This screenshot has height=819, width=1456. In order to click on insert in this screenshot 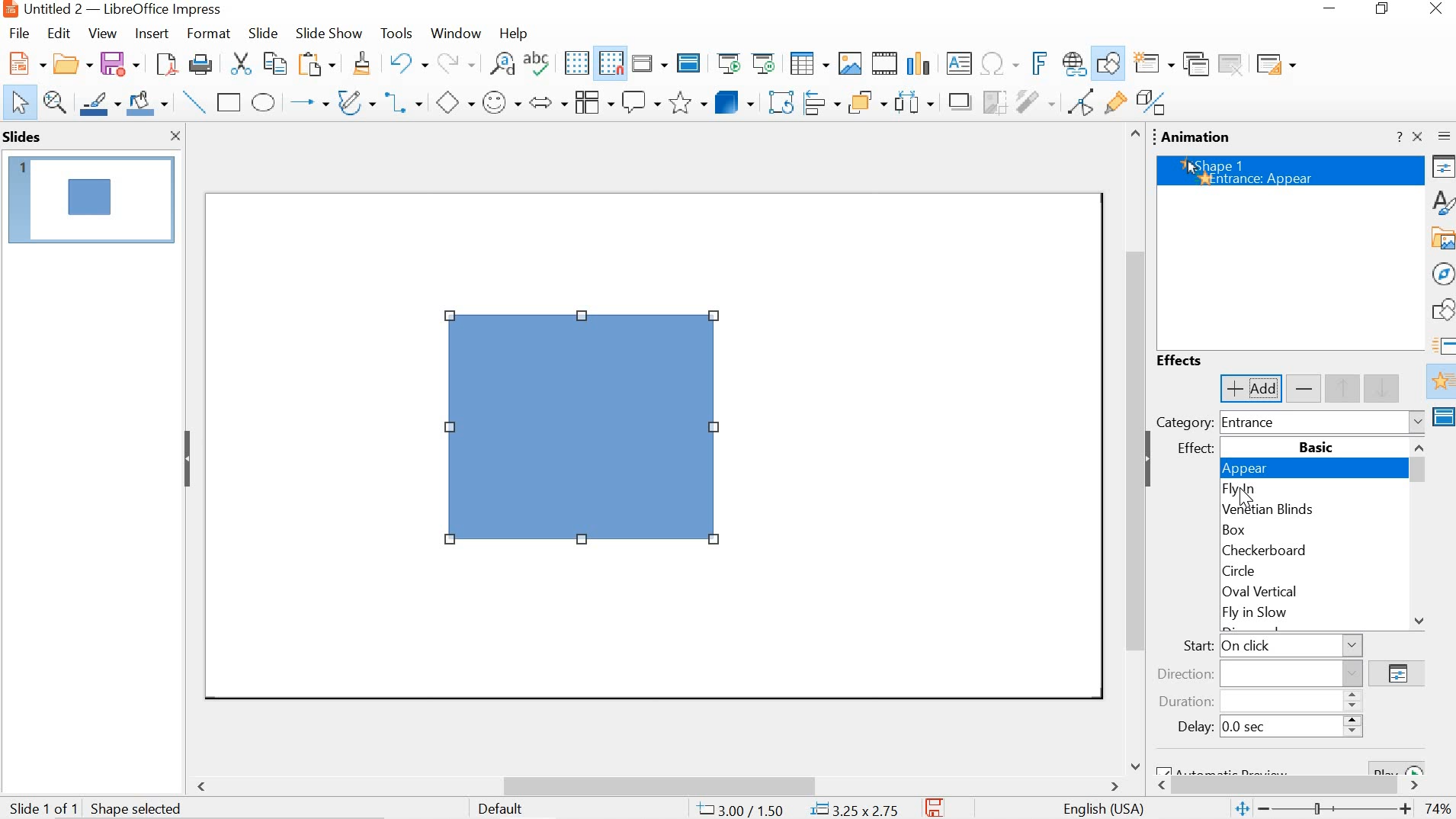, I will do `click(152, 34)`.